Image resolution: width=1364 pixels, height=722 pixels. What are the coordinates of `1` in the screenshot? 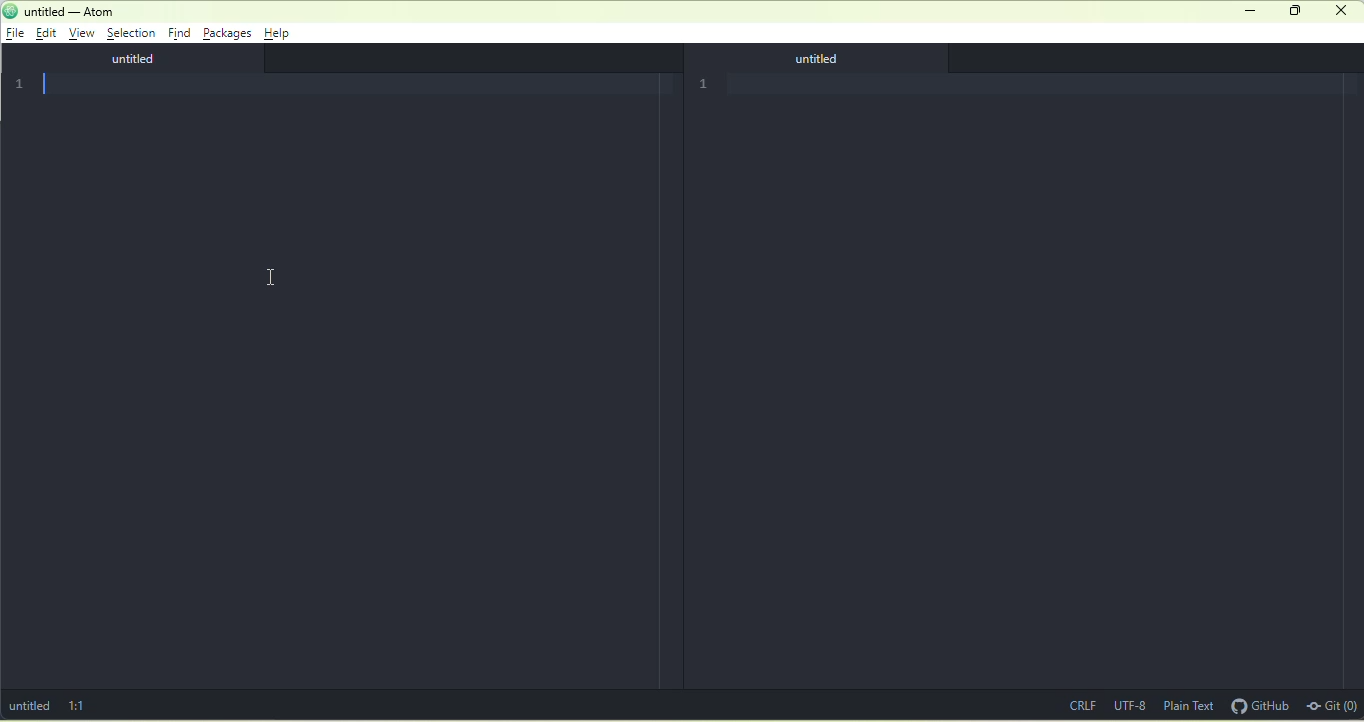 It's located at (23, 84).